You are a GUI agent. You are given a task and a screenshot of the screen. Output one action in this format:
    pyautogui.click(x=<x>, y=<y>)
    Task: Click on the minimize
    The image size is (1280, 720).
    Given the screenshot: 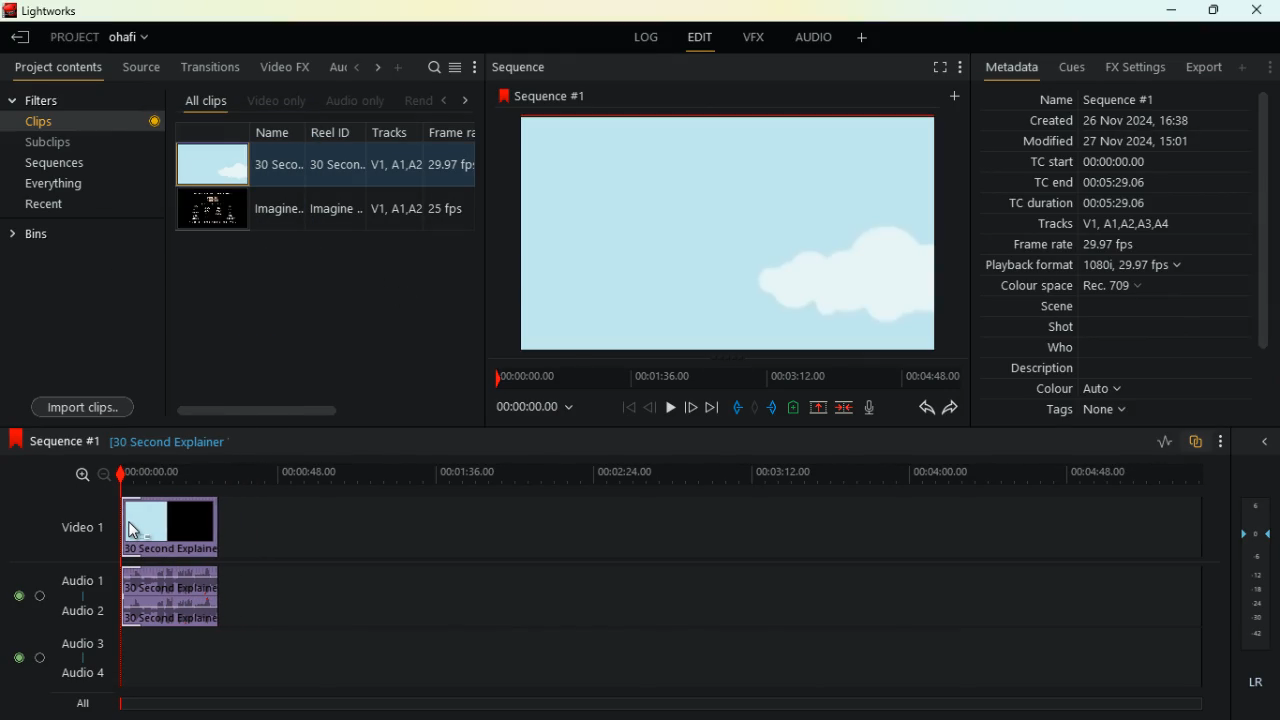 What is the action you would take?
    pyautogui.click(x=1169, y=11)
    